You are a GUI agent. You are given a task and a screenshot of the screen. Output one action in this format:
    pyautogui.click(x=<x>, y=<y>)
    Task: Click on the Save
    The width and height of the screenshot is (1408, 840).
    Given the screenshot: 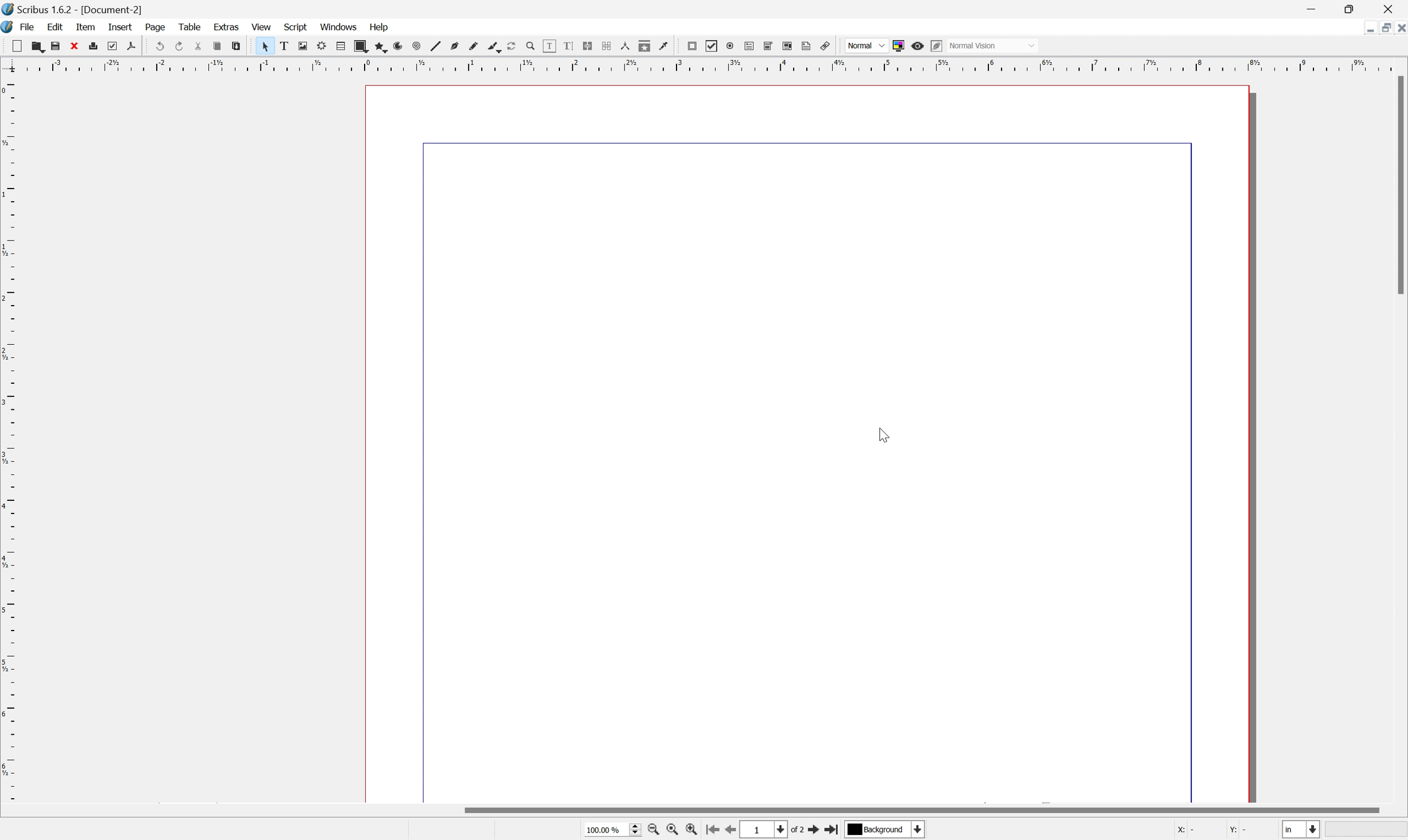 What is the action you would take?
    pyautogui.click(x=59, y=46)
    